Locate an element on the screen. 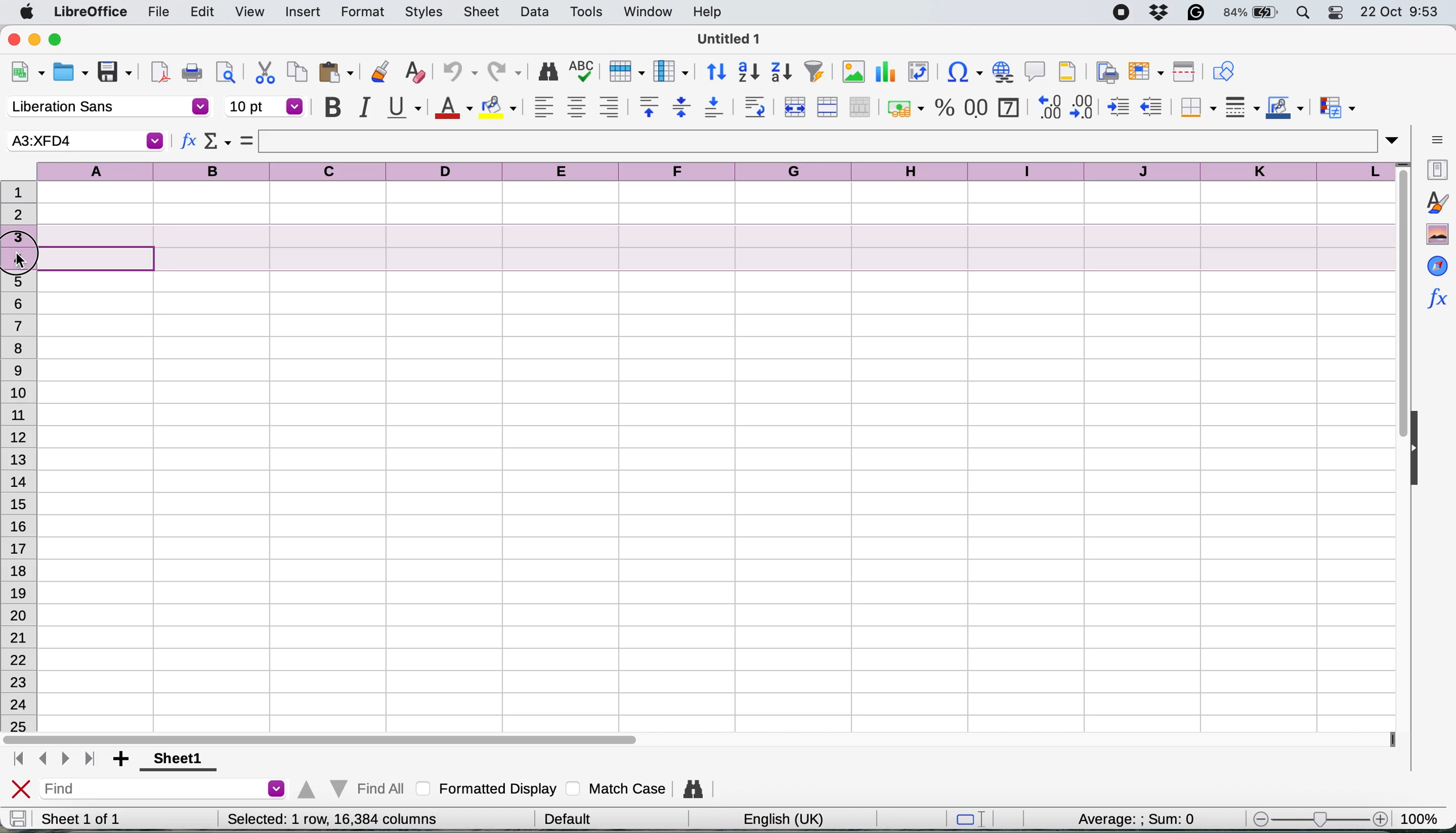  autofilter is located at coordinates (814, 72).